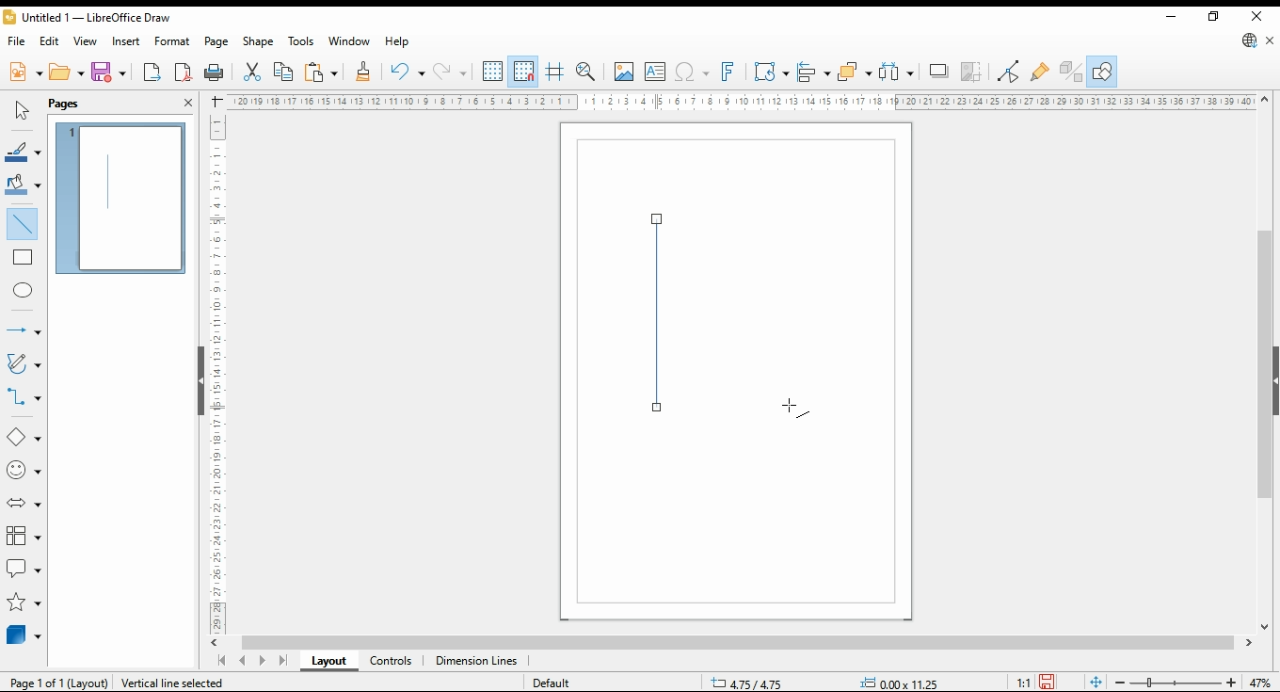 This screenshot has height=692, width=1280. I want to click on export, so click(152, 74).